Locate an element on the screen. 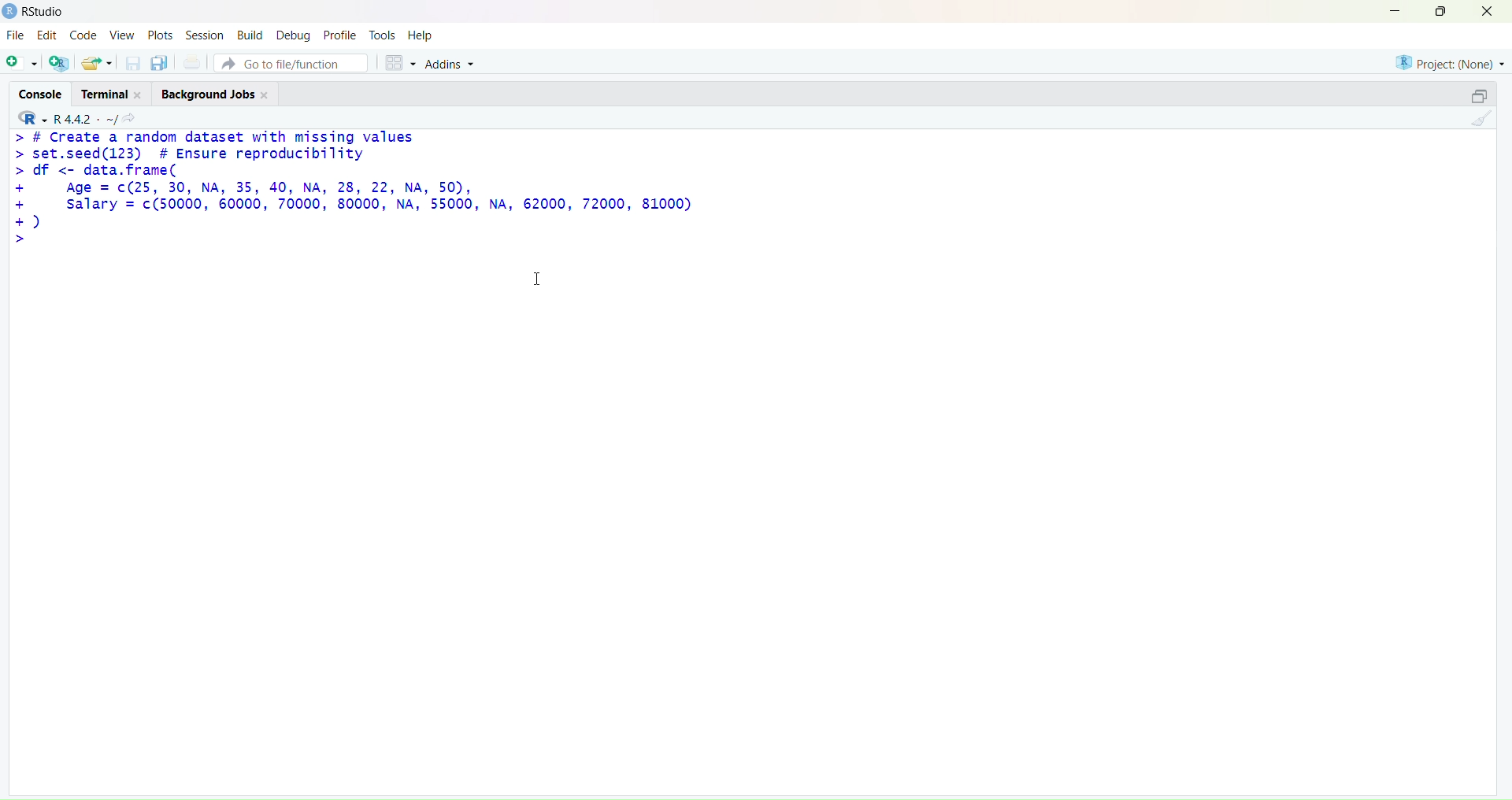  tools is located at coordinates (384, 35).